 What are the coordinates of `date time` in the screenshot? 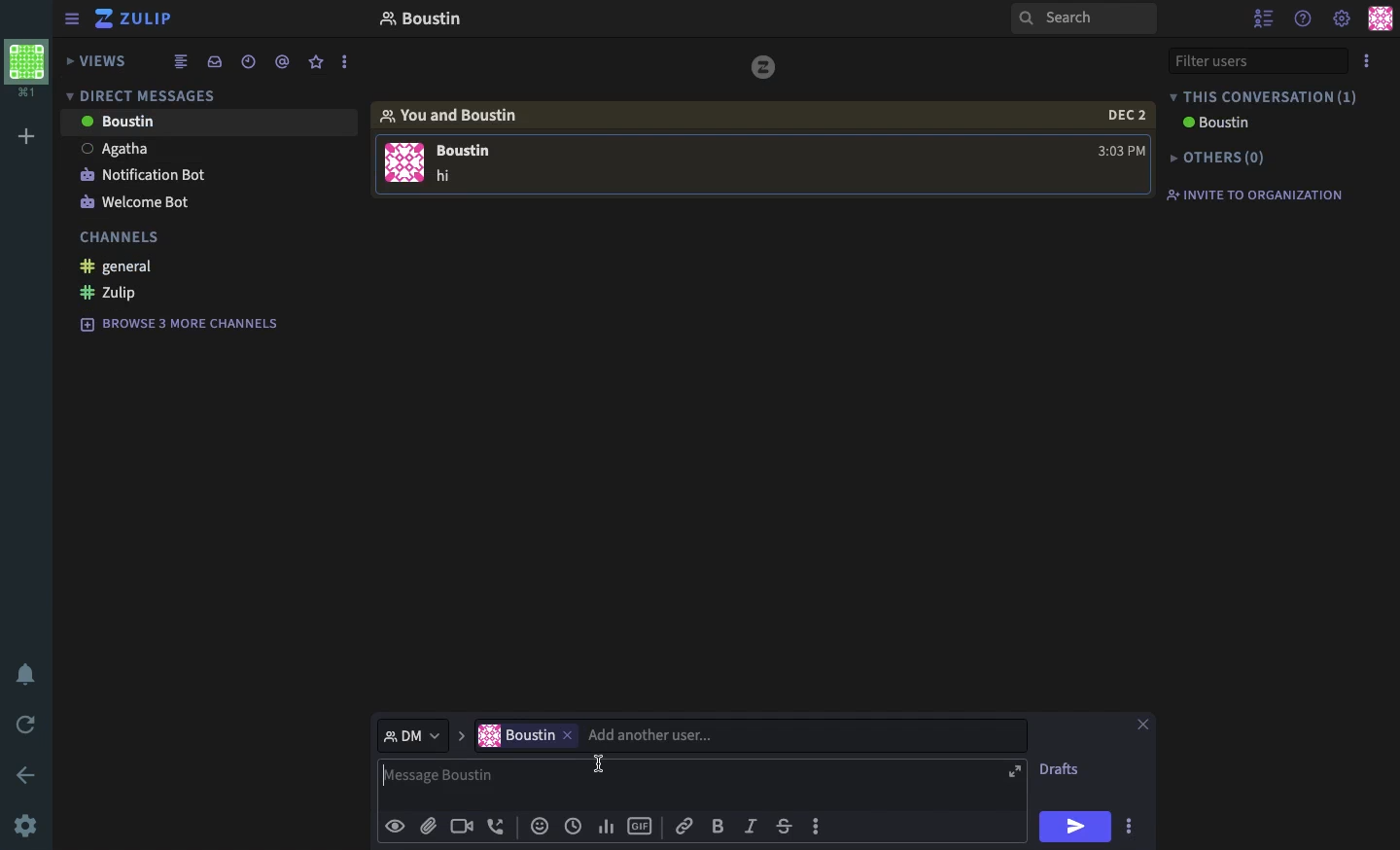 It's located at (250, 62).